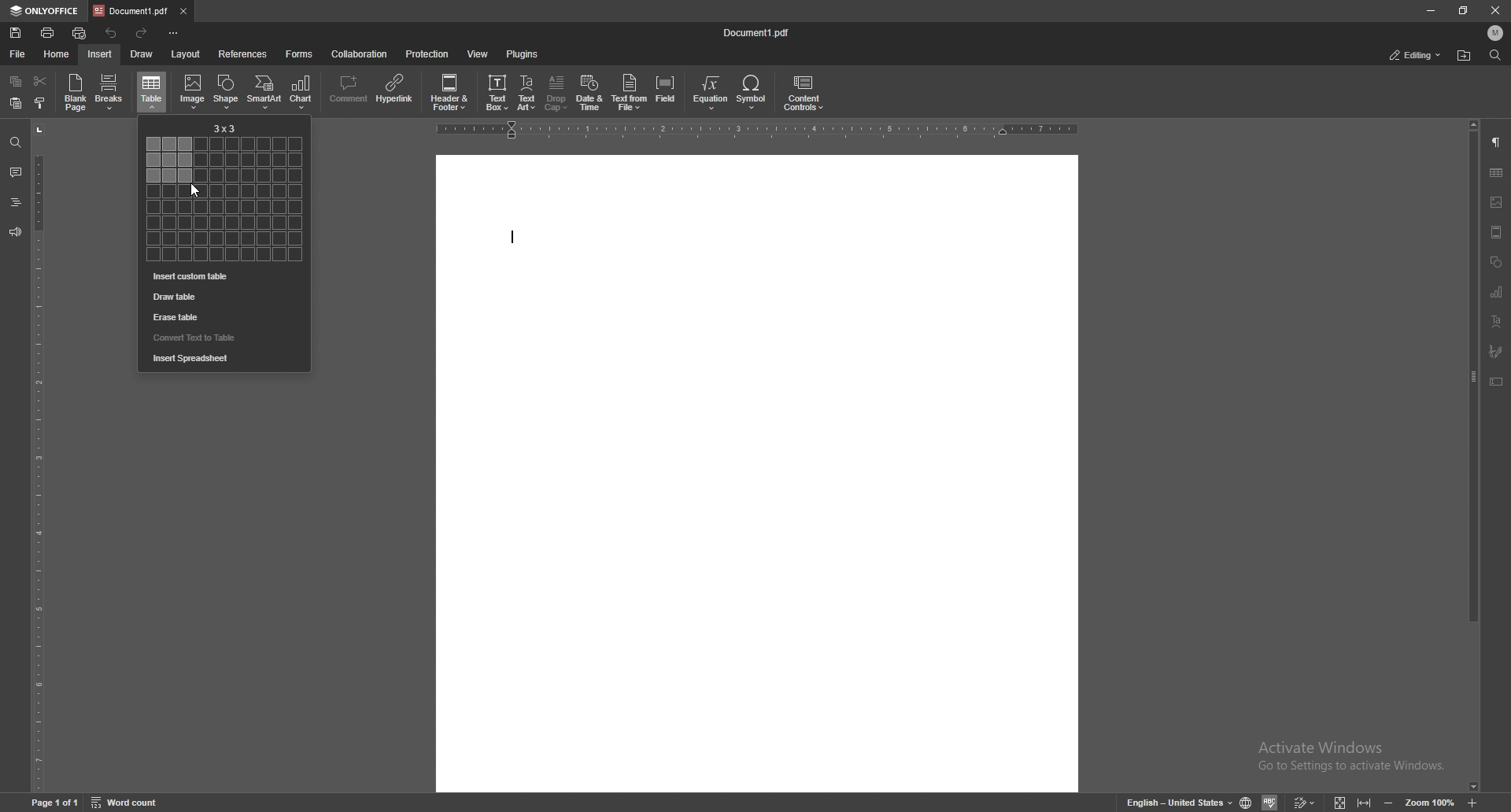  Describe the element at coordinates (194, 89) in the screenshot. I see `image` at that location.